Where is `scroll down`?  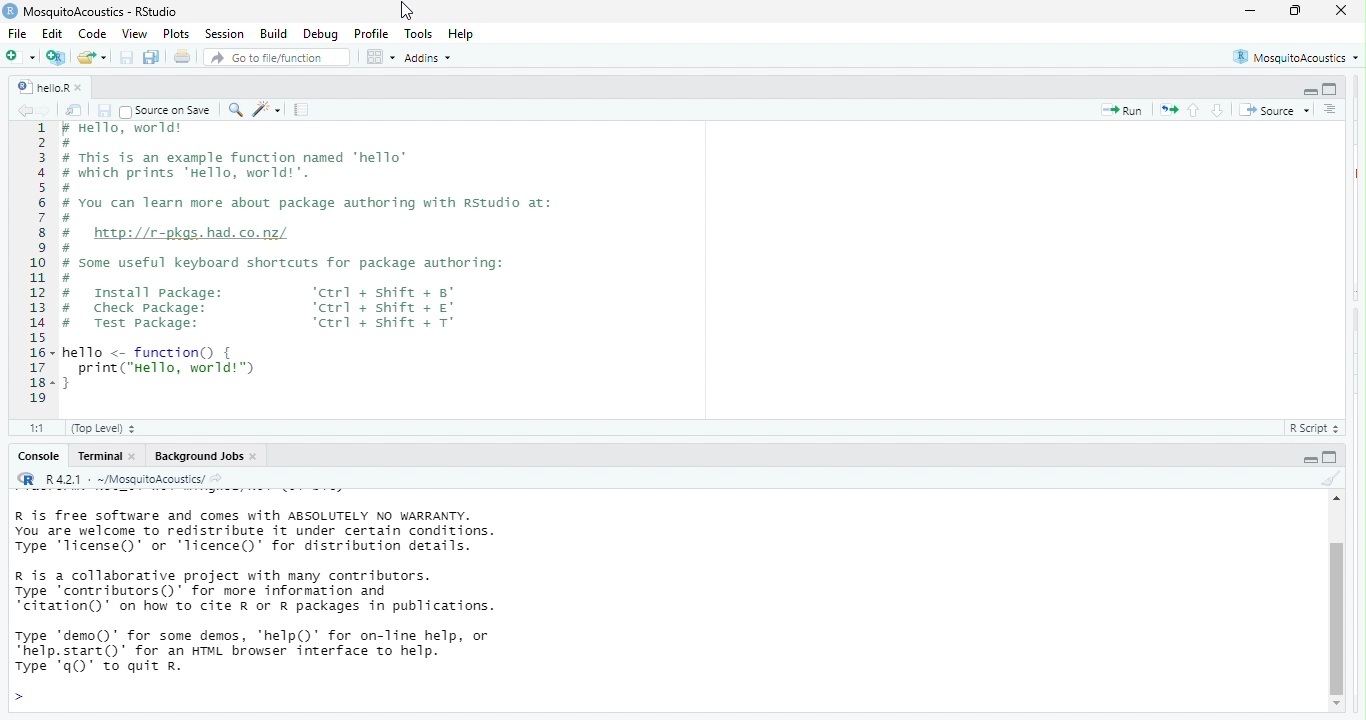
scroll down is located at coordinates (1338, 705).